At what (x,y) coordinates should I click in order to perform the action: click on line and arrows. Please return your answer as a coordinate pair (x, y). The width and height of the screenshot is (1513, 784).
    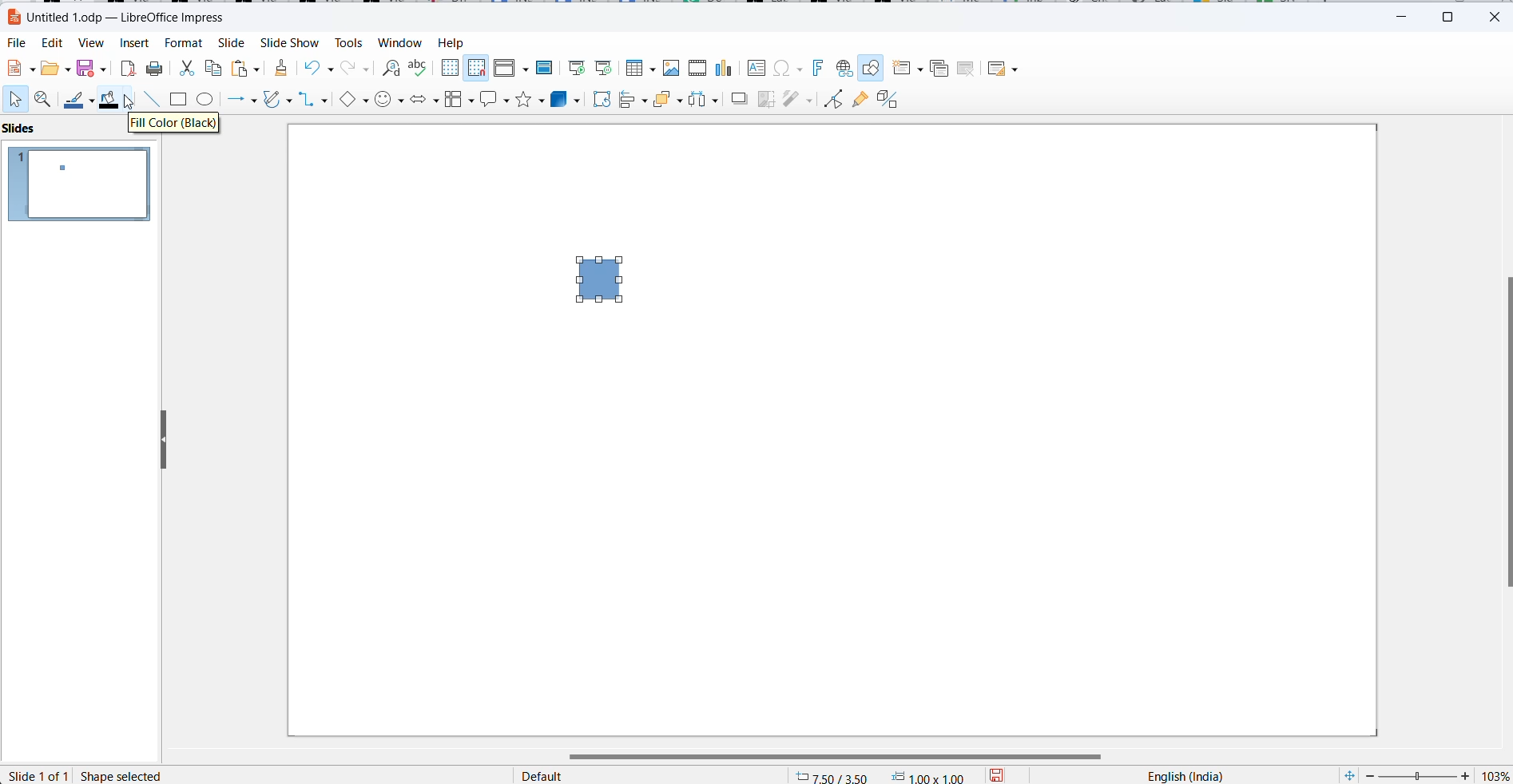
    Looking at the image, I should click on (244, 101).